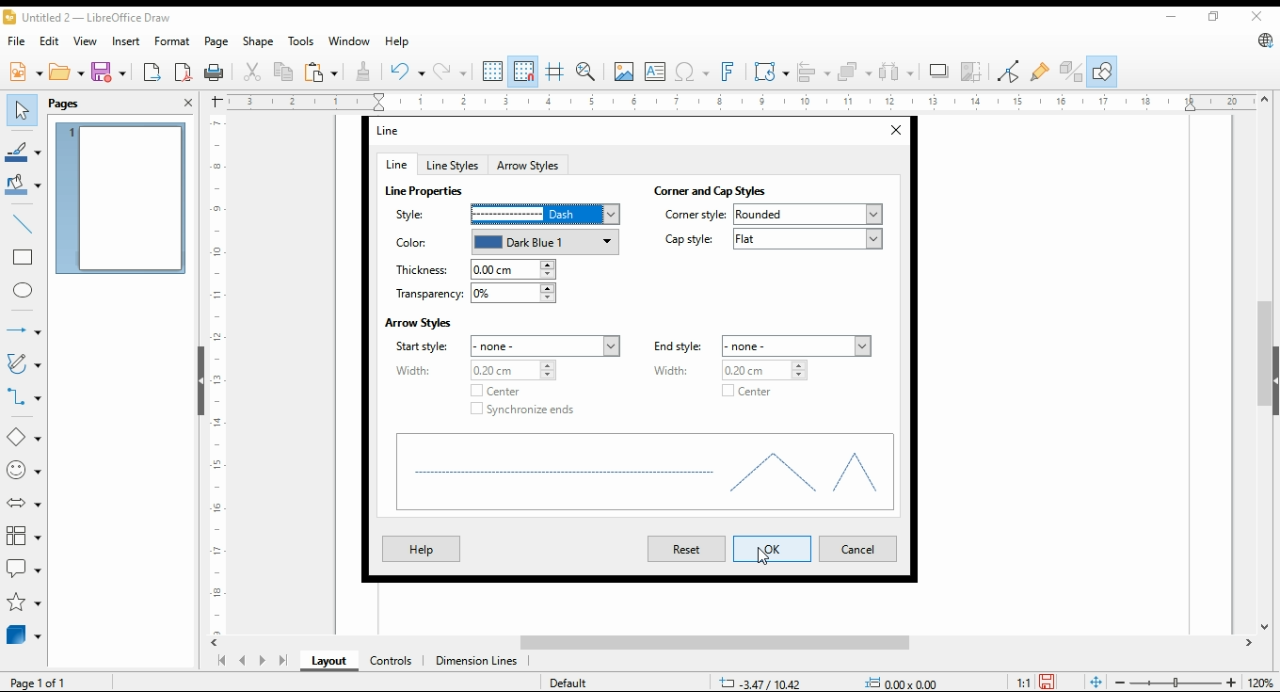 The image size is (1280, 692). What do you see at coordinates (474, 294) in the screenshot?
I see `transperency` at bounding box center [474, 294].